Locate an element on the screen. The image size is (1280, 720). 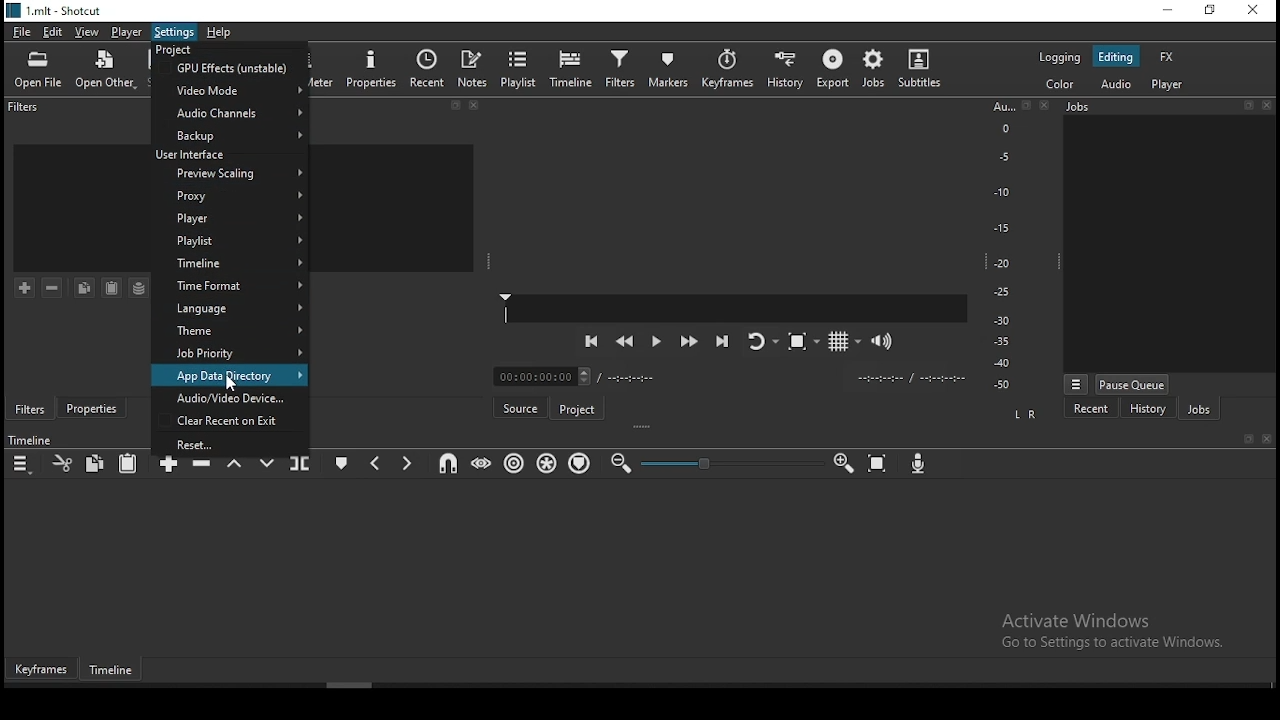
scrub while dragging is located at coordinates (479, 465).